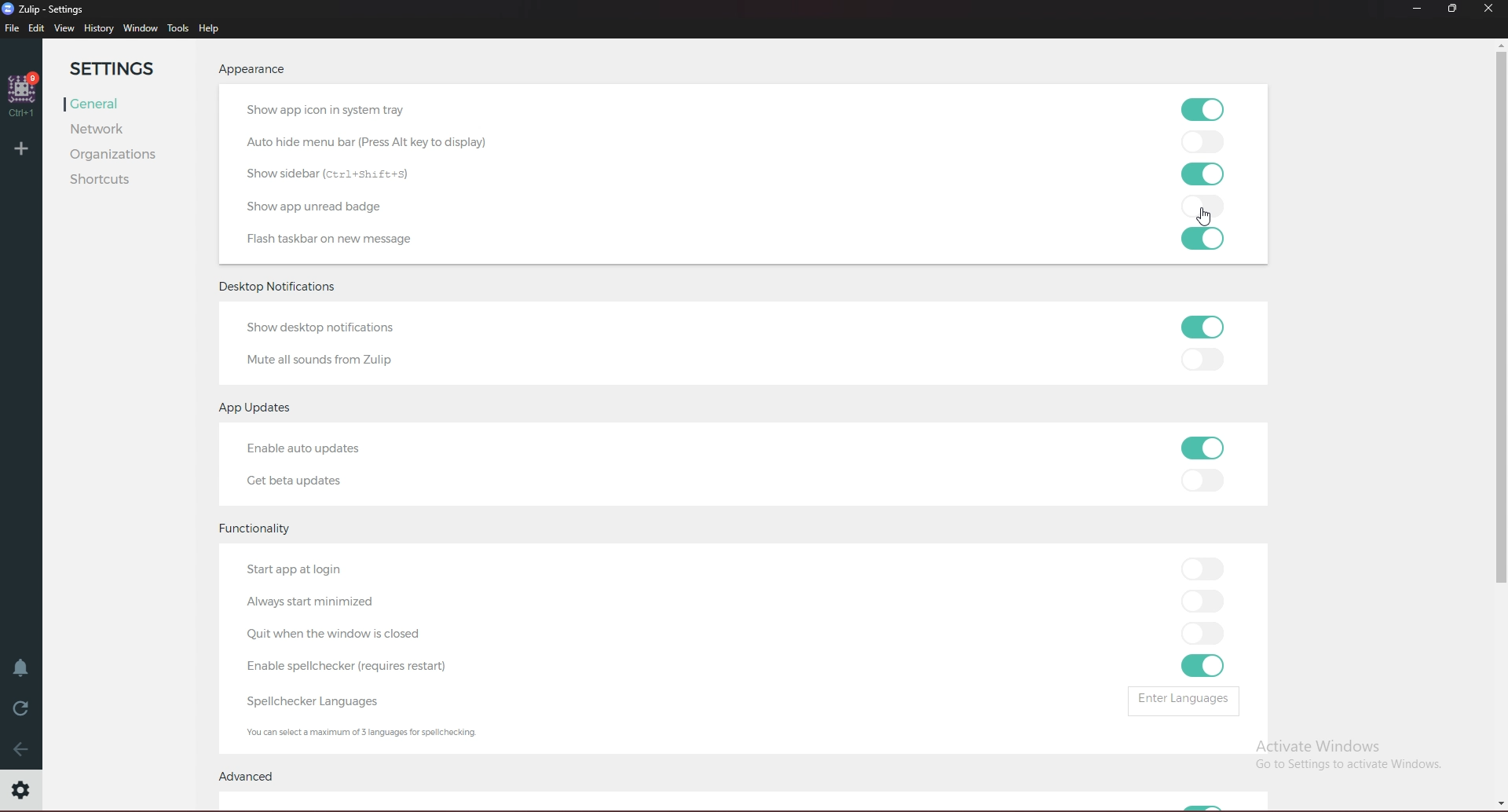 The height and width of the screenshot is (812, 1508). Describe the element at coordinates (1209, 172) in the screenshot. I see `toggle` at that location.